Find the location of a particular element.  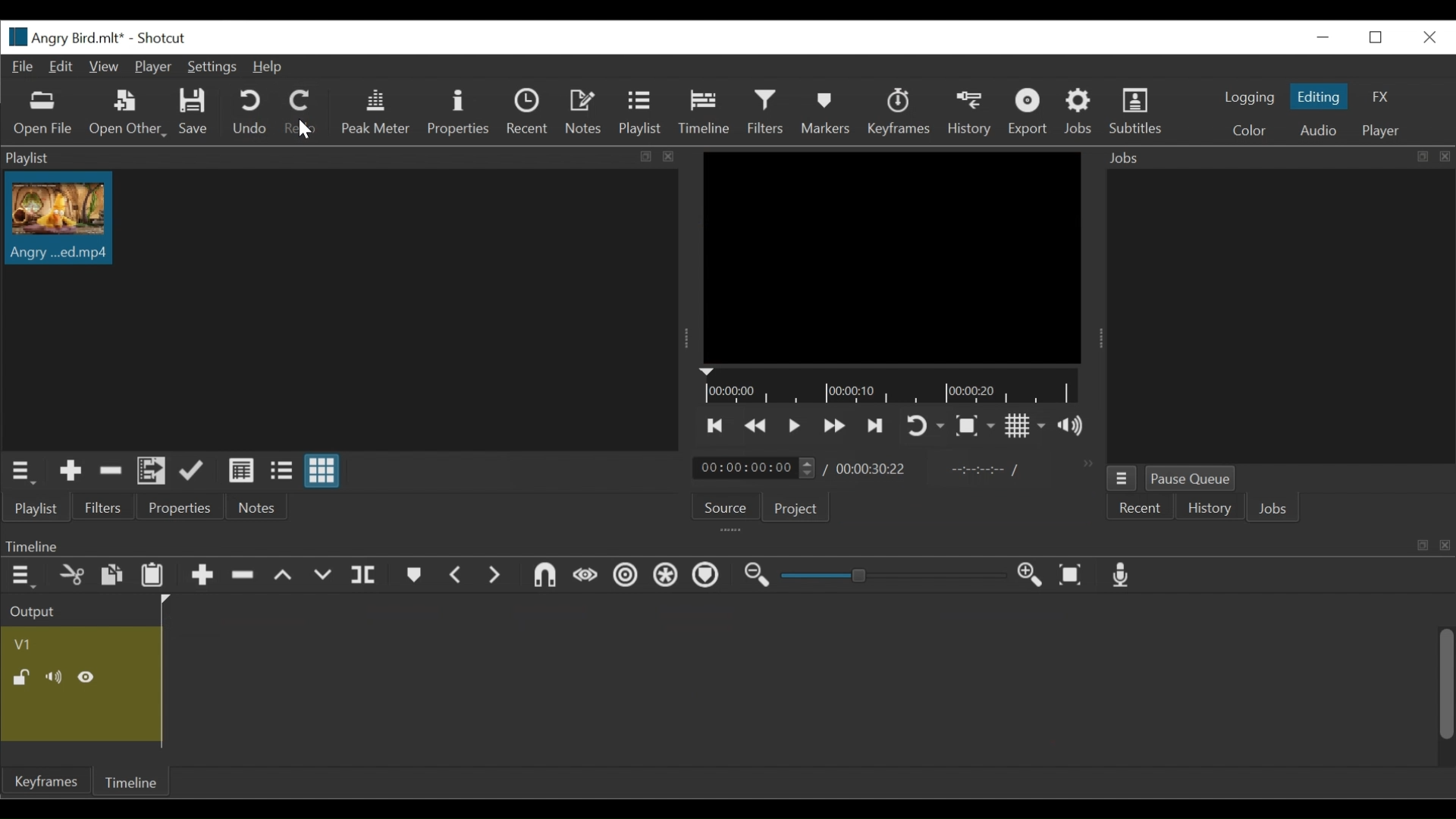

Append is located at coordinates (201, 577).